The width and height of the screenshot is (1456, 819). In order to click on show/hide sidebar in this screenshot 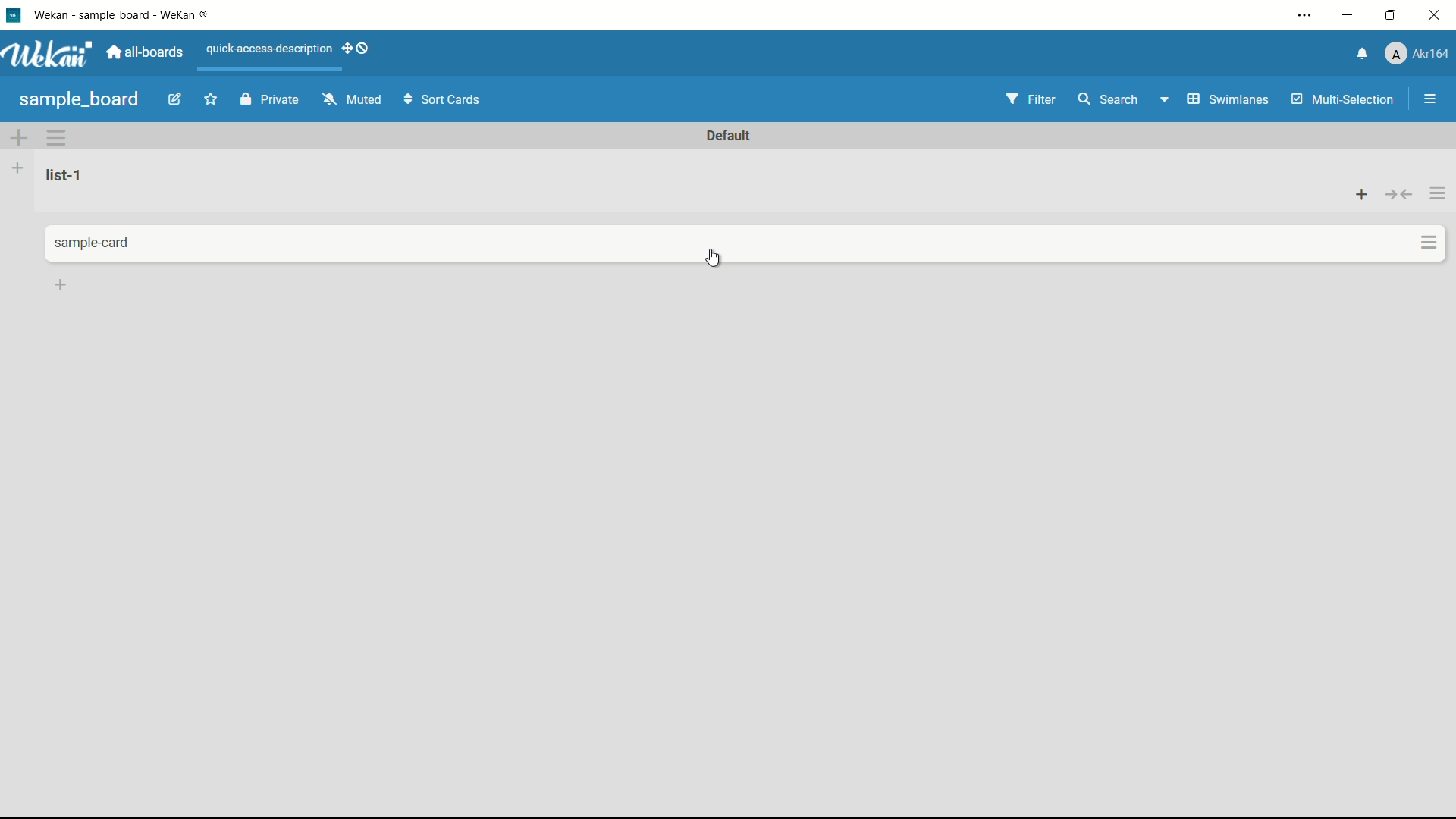, I will do `click(1432, 99)`.